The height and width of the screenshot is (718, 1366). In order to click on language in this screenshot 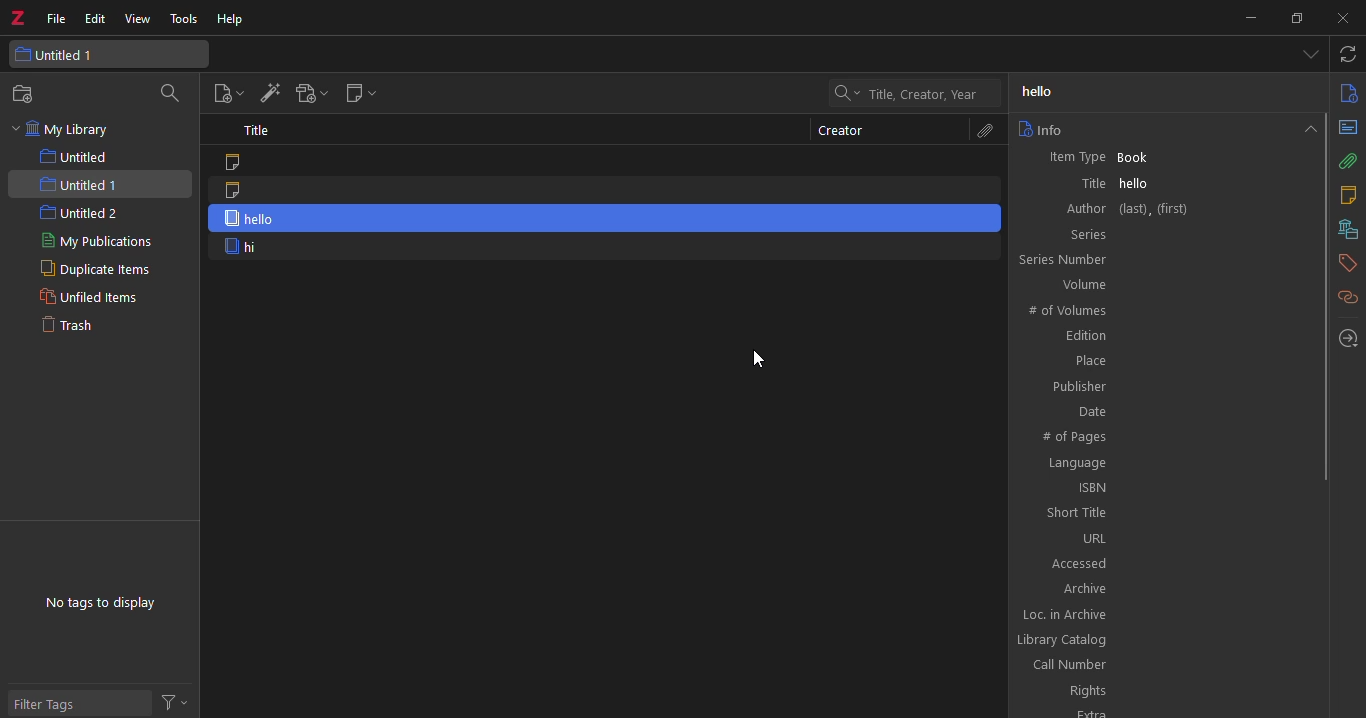, I will do `click(1164, 463)`.